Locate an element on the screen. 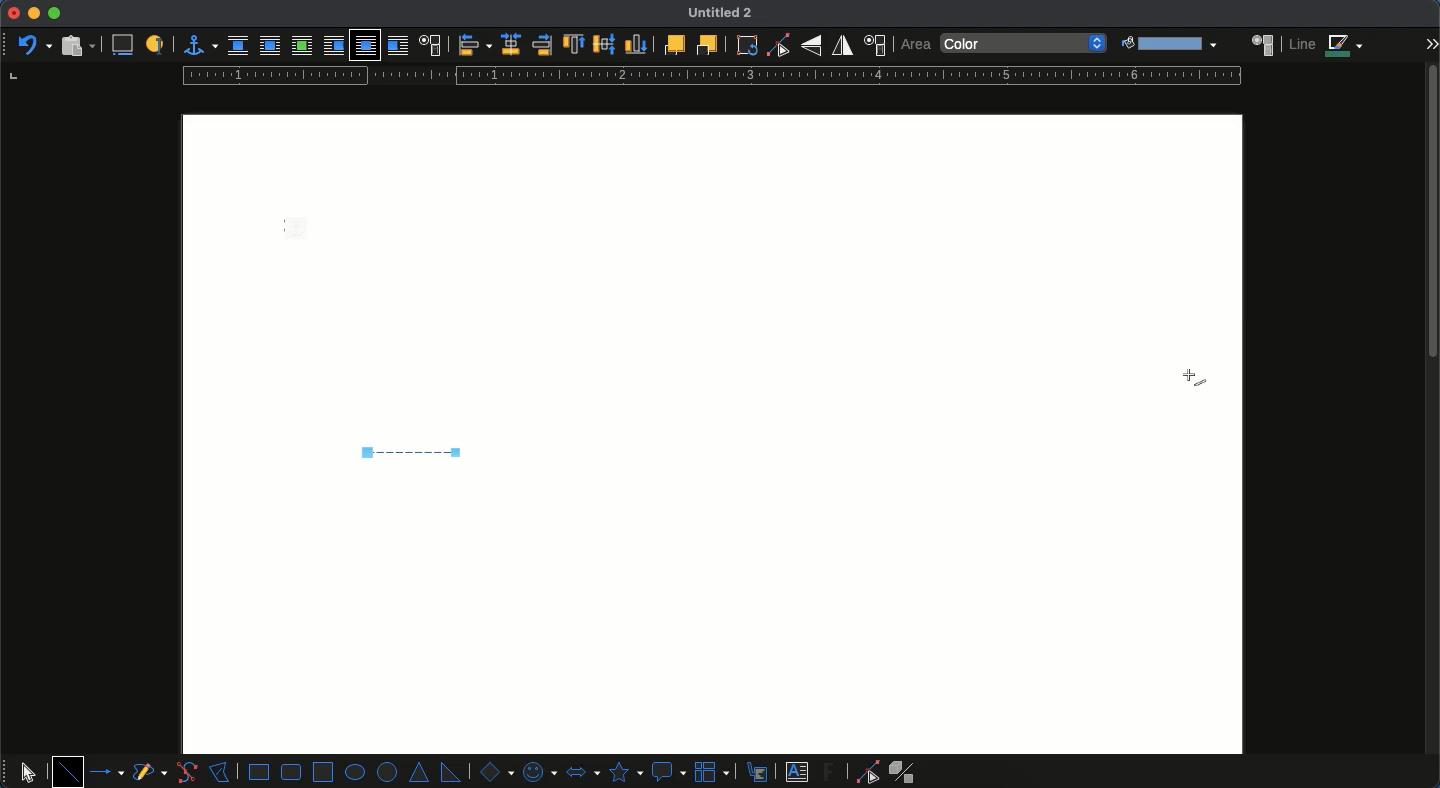 Image resolution: width=1440 pixels, height=788 pixels. rectangle is located at coordinates (259, 772).